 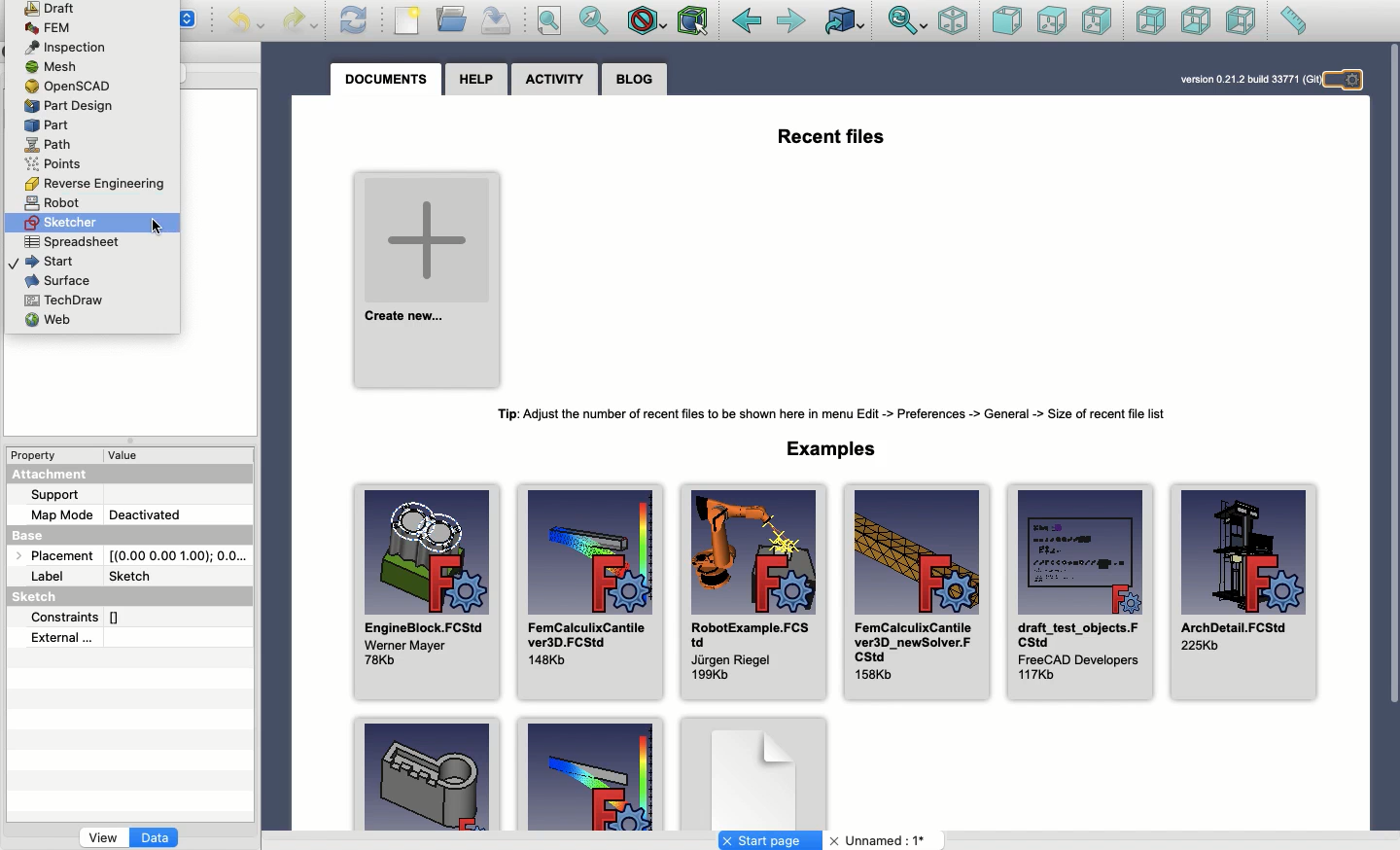 I want to click on Bounding box, so click(x=694, y=22).